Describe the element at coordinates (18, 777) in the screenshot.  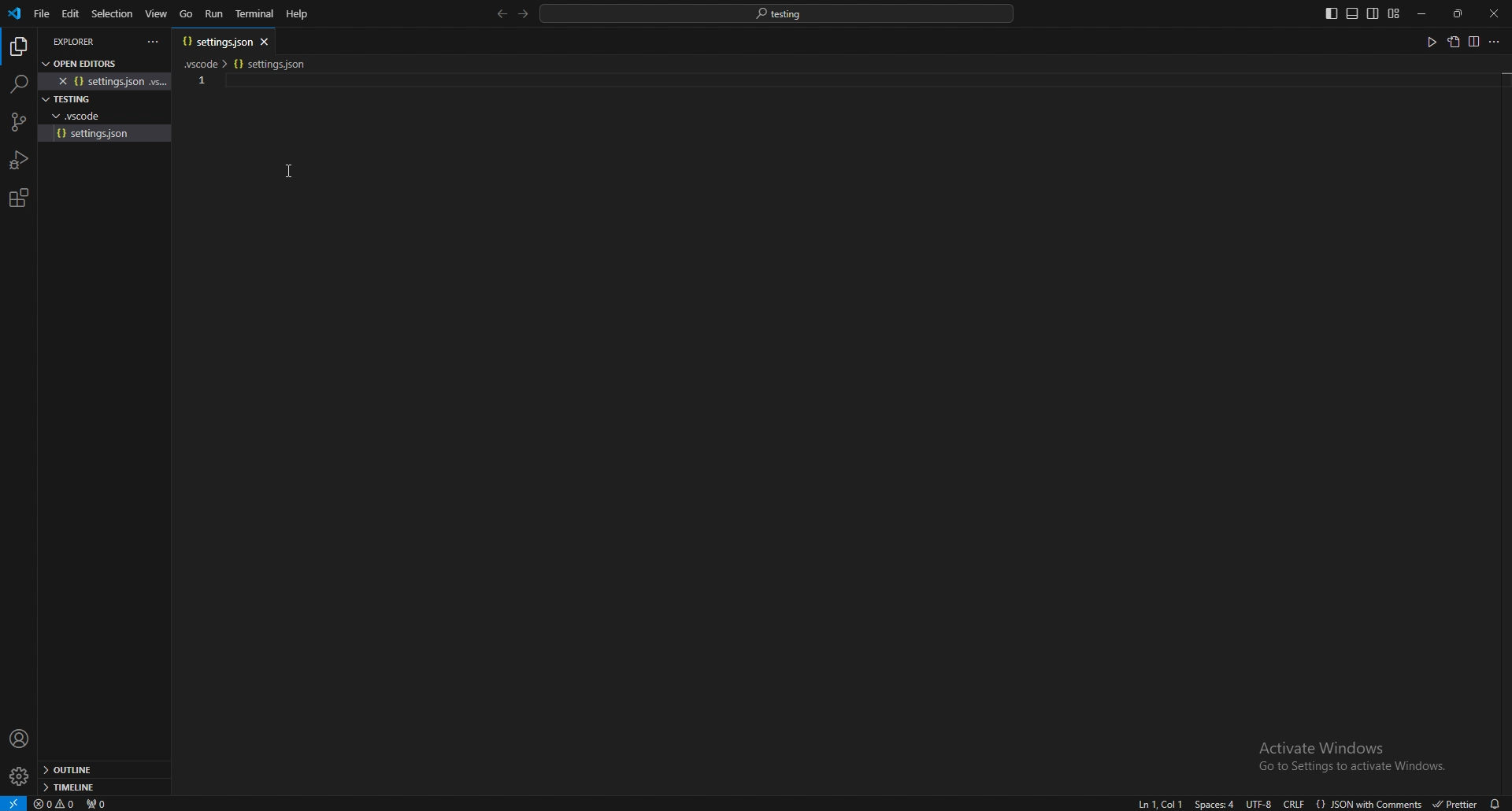
I see `settings` at that location.